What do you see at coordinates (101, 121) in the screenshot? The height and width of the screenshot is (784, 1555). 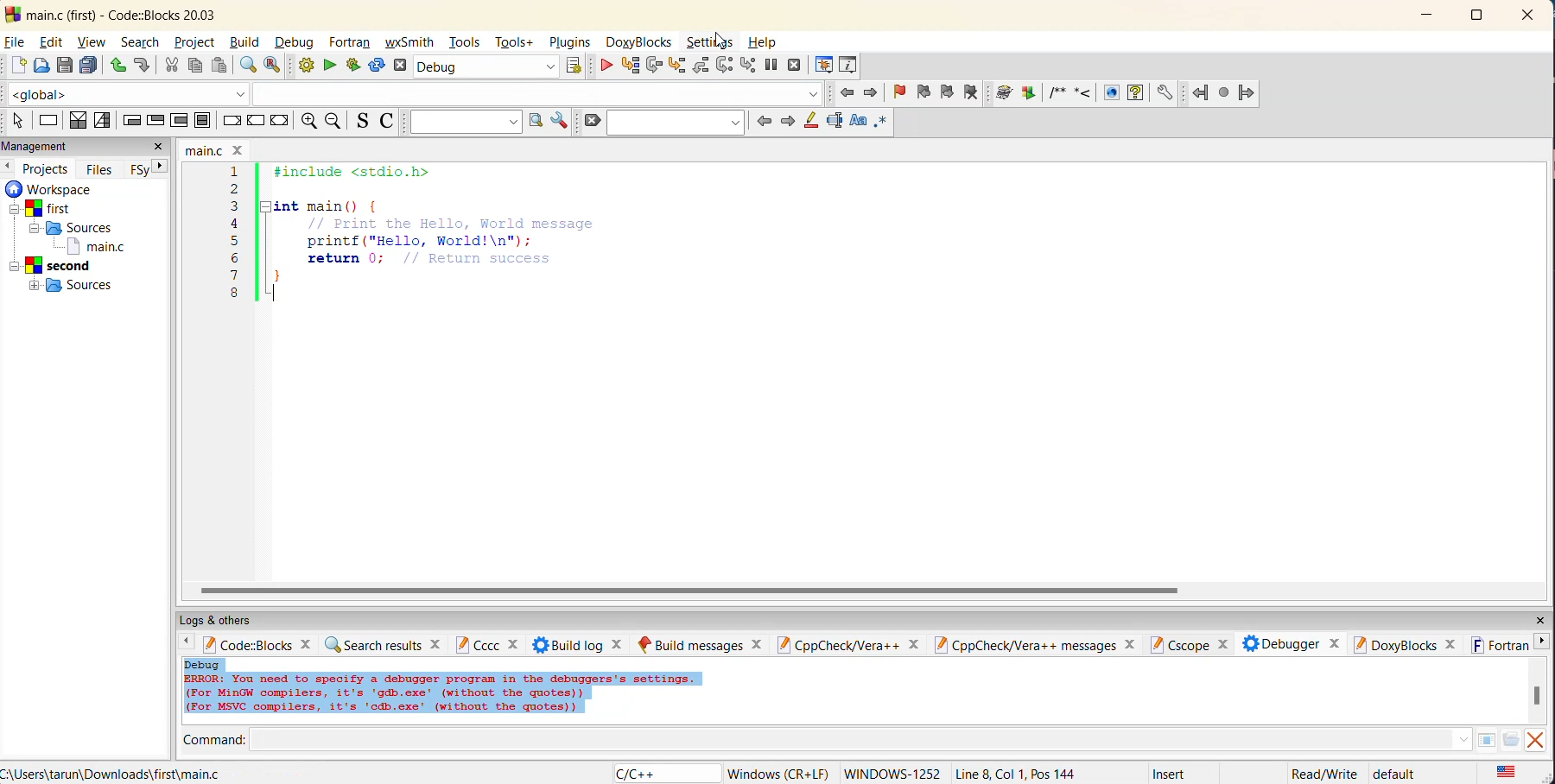 I see `selection` at bounding box center [101, 121].